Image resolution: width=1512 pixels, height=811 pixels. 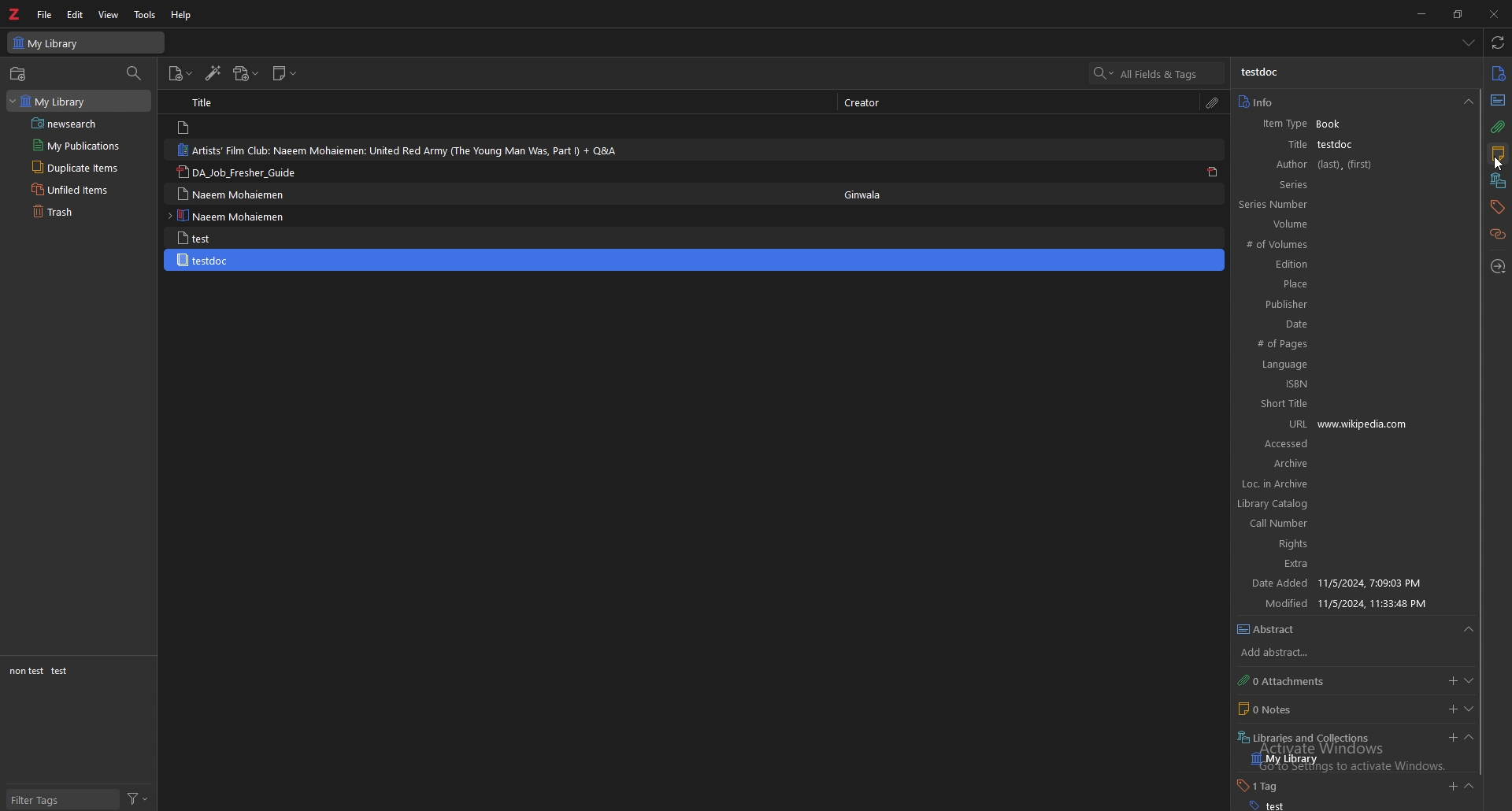 What do you see at coordinates (1214, 102) in the screenshot?
I see `attachment` at bounding box center [1214, 102].